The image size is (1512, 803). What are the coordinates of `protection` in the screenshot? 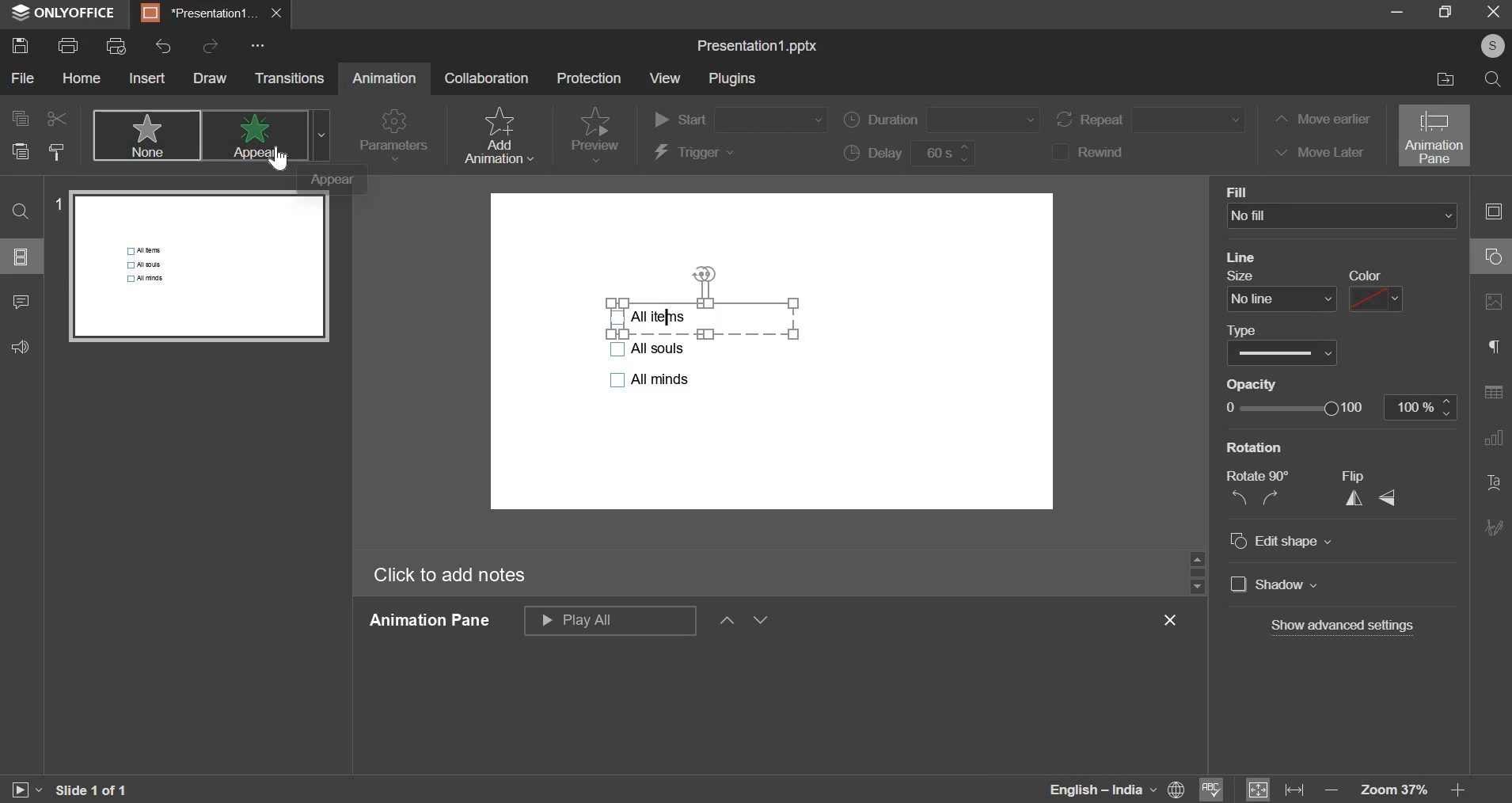 It's located at (587, 78).